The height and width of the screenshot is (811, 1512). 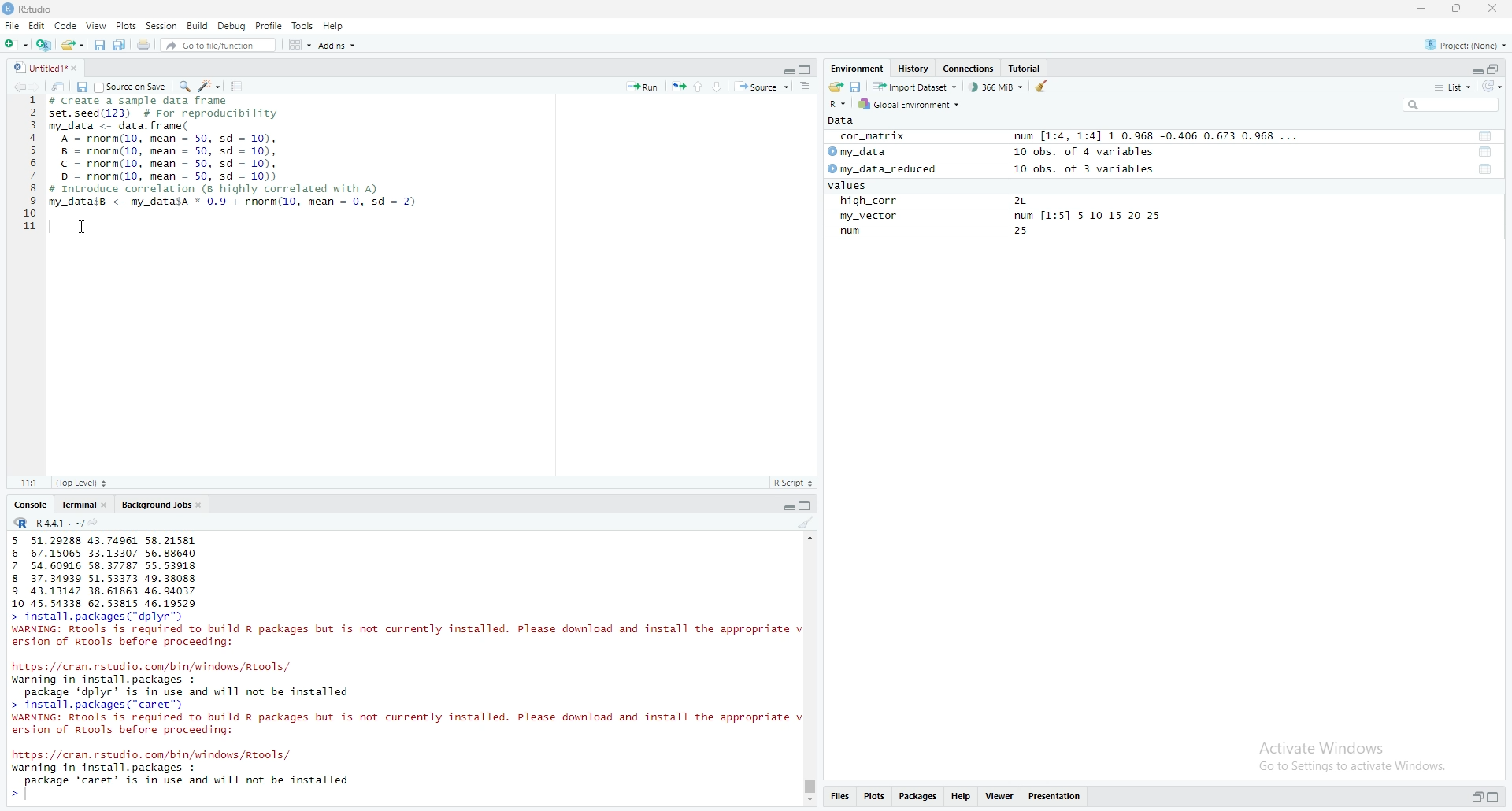 What do you see at coordinates (54, 227) in the screenshot?
I see `typing indicator` at bounding box center [54, 227].